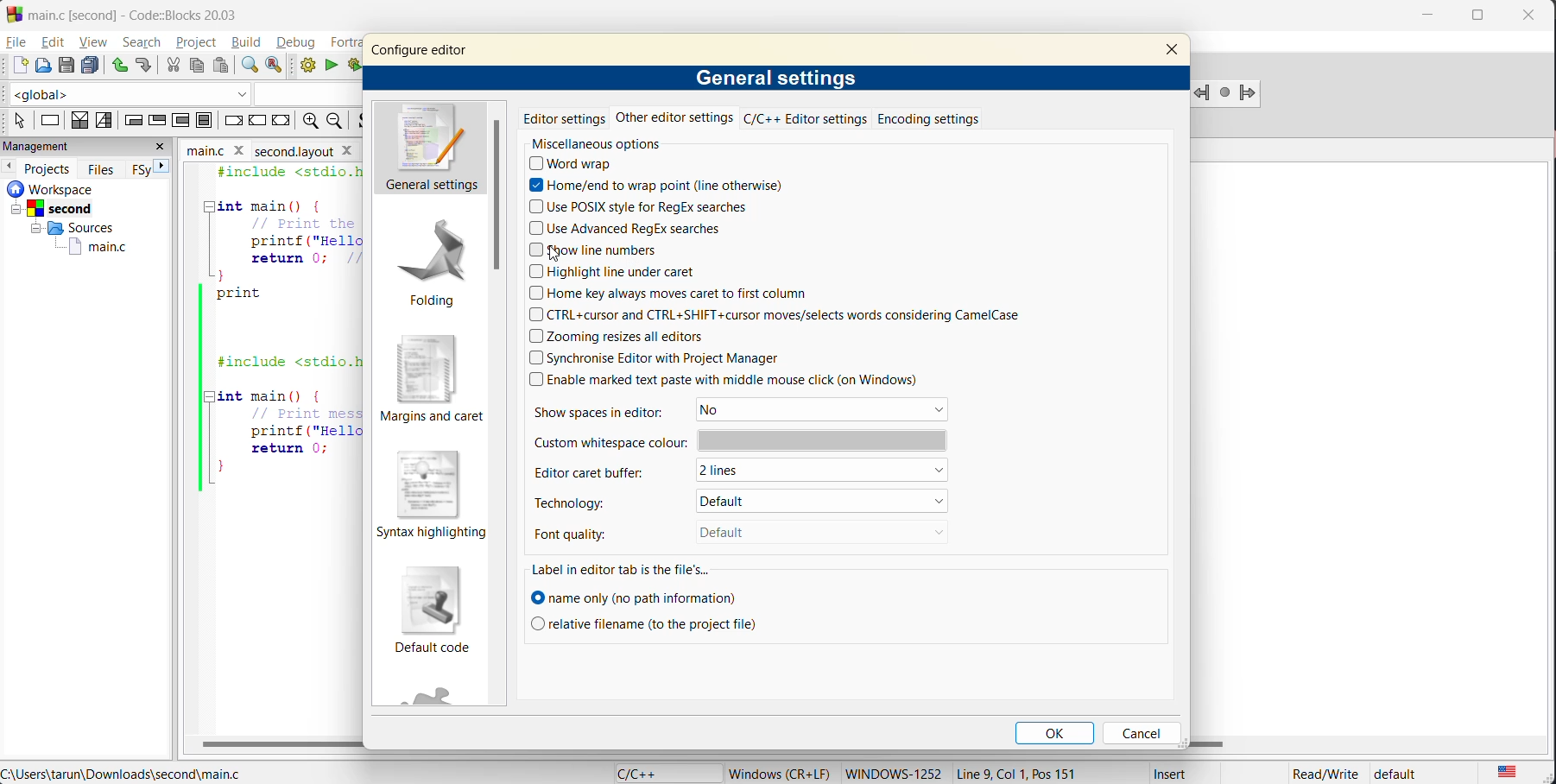 The width and height of the screenshot is (1556, 784). I want to click on general settings, so click(774, 79).